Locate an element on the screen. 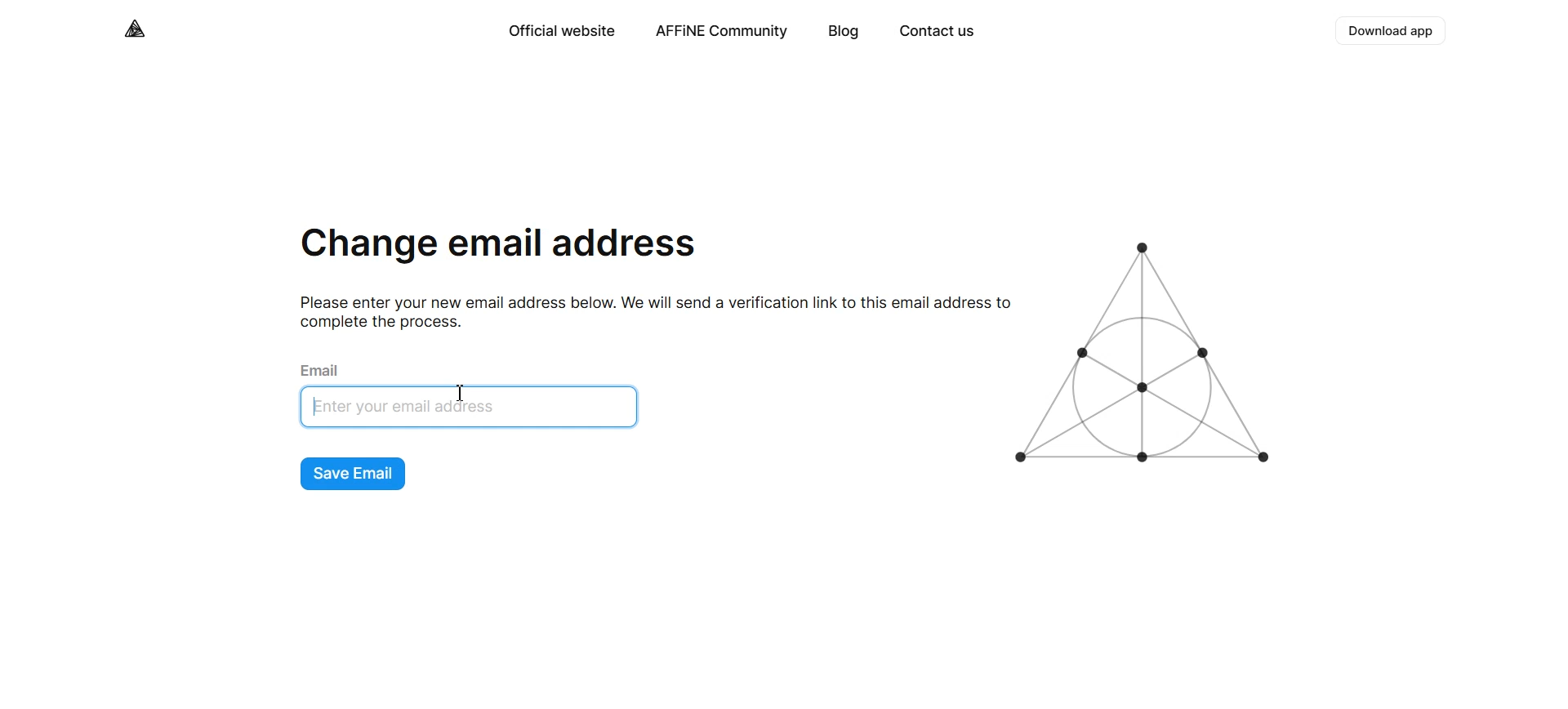  Cursor is located at coordinates (464, 394).